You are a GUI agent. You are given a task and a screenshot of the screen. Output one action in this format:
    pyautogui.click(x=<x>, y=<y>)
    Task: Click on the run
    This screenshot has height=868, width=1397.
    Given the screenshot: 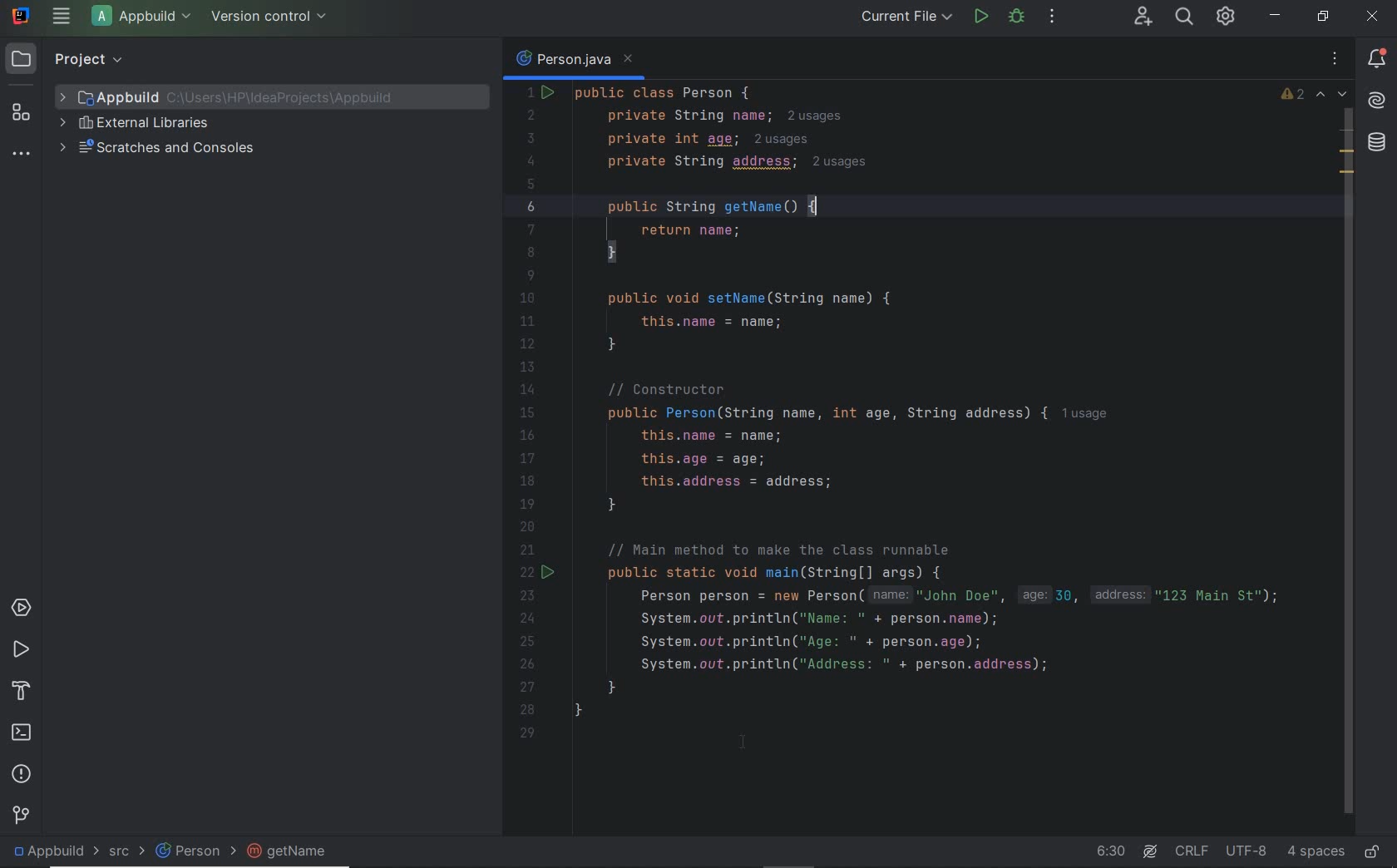 What is the action you would take?
    pyautogui.click(x=981, y=17)
    